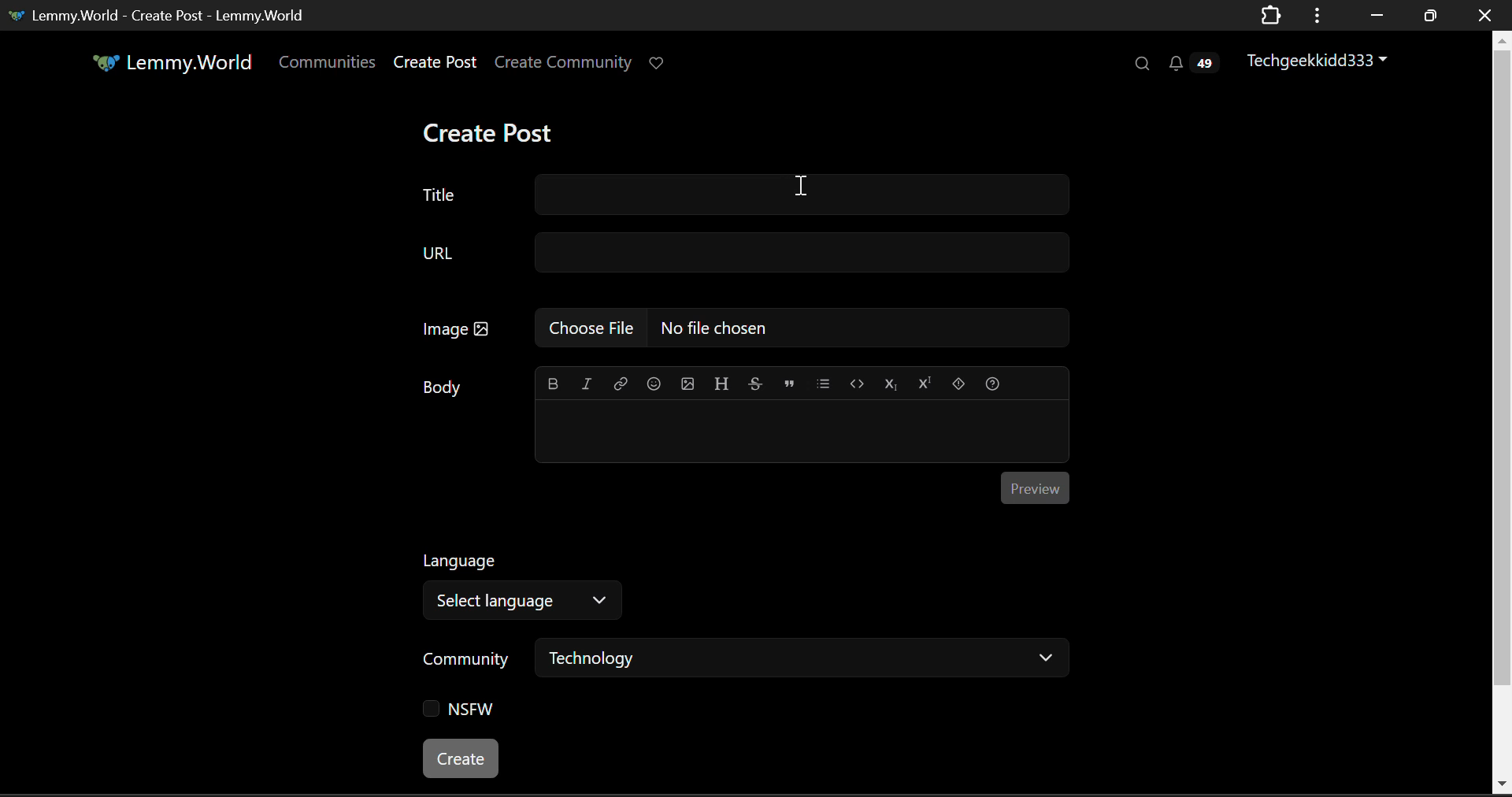 The width and height of the screenshot is (1512, 797). What do you see at coordinates (736, 330) in the screenshot?
I see `Insert Image Field` at bounding box center [736, 330].